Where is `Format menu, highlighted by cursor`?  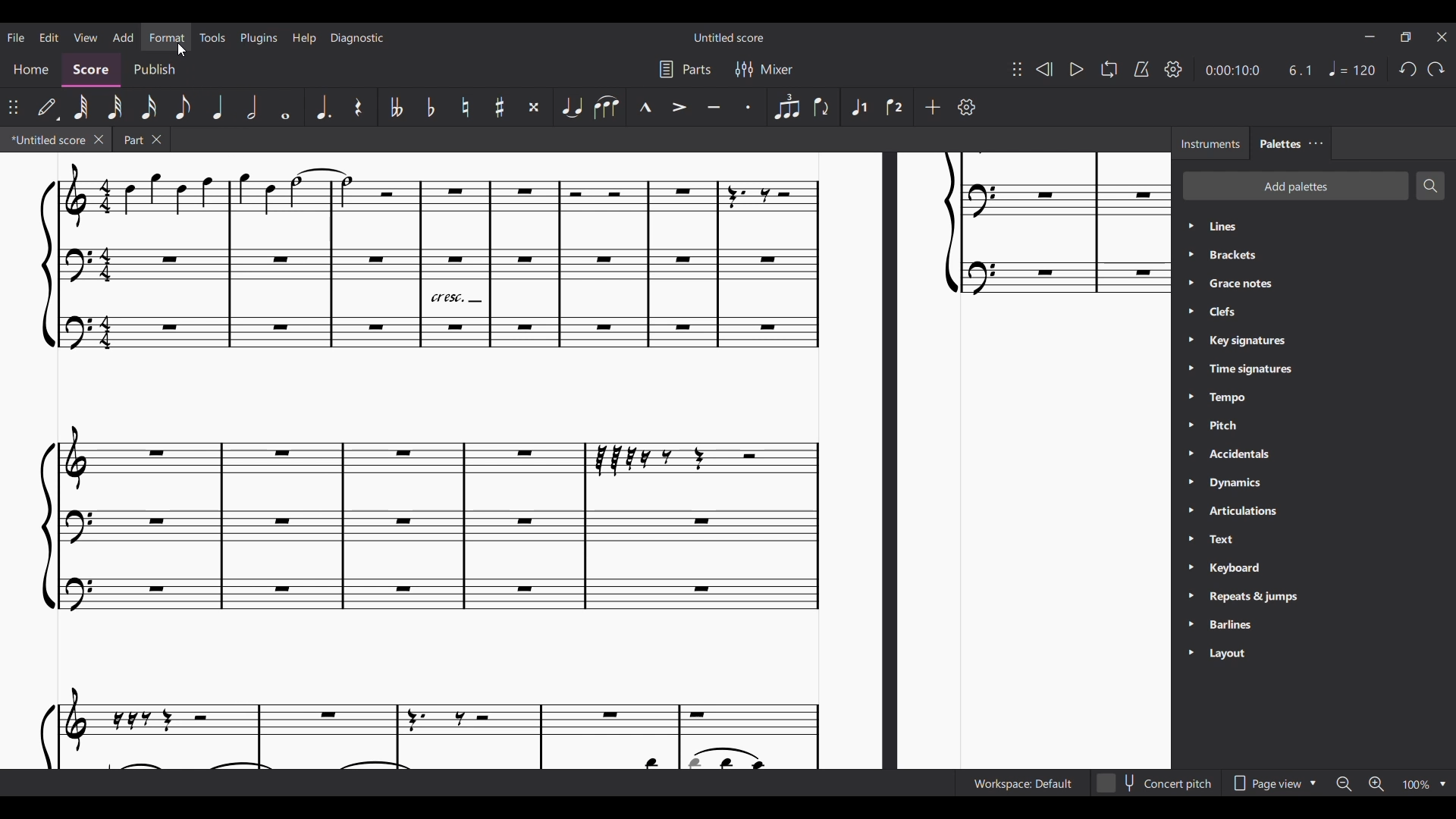 Format menu, highlighted by cursor is located at coordinates (165, 36).